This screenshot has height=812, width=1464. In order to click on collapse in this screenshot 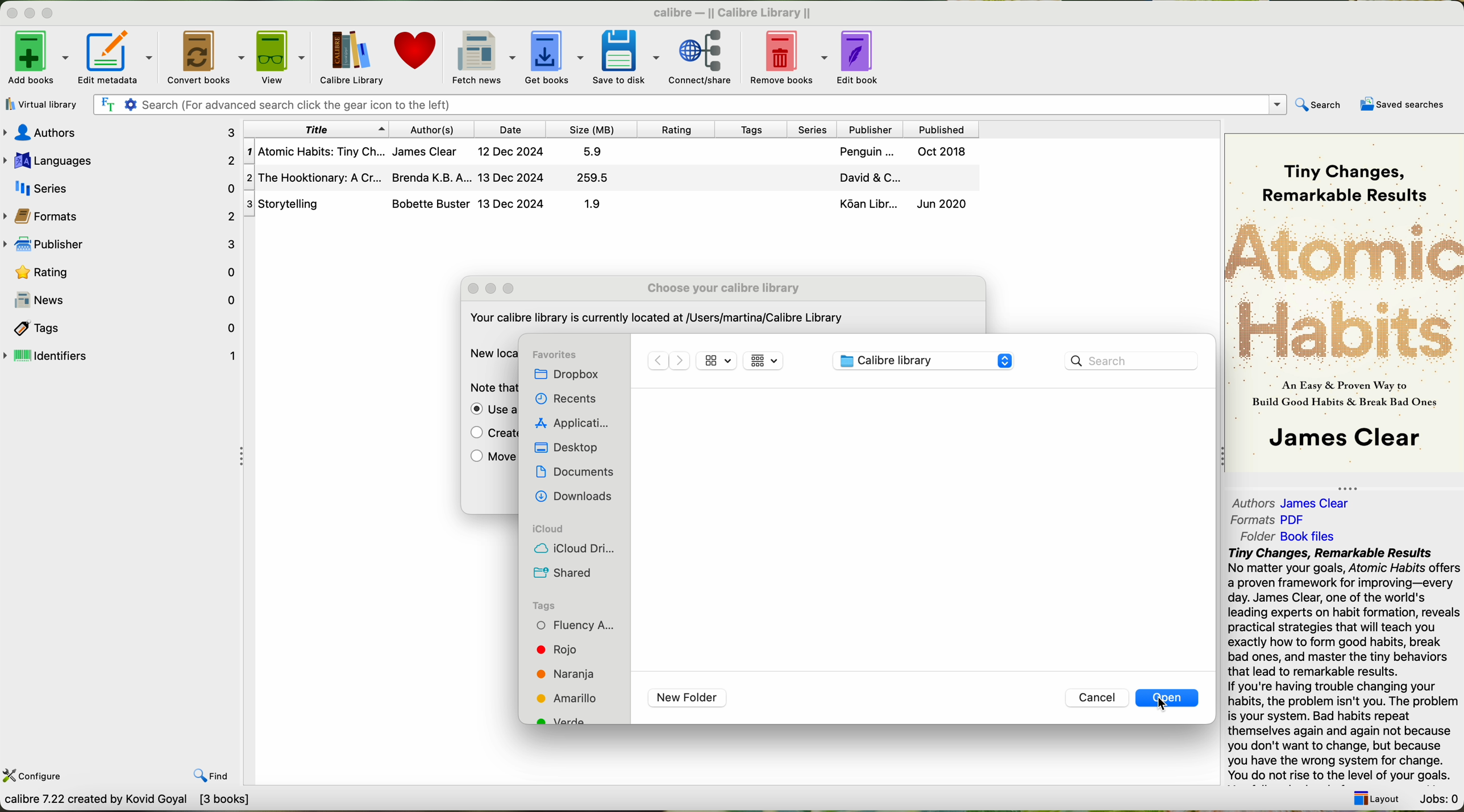, I will do `click(1354, 485)`.